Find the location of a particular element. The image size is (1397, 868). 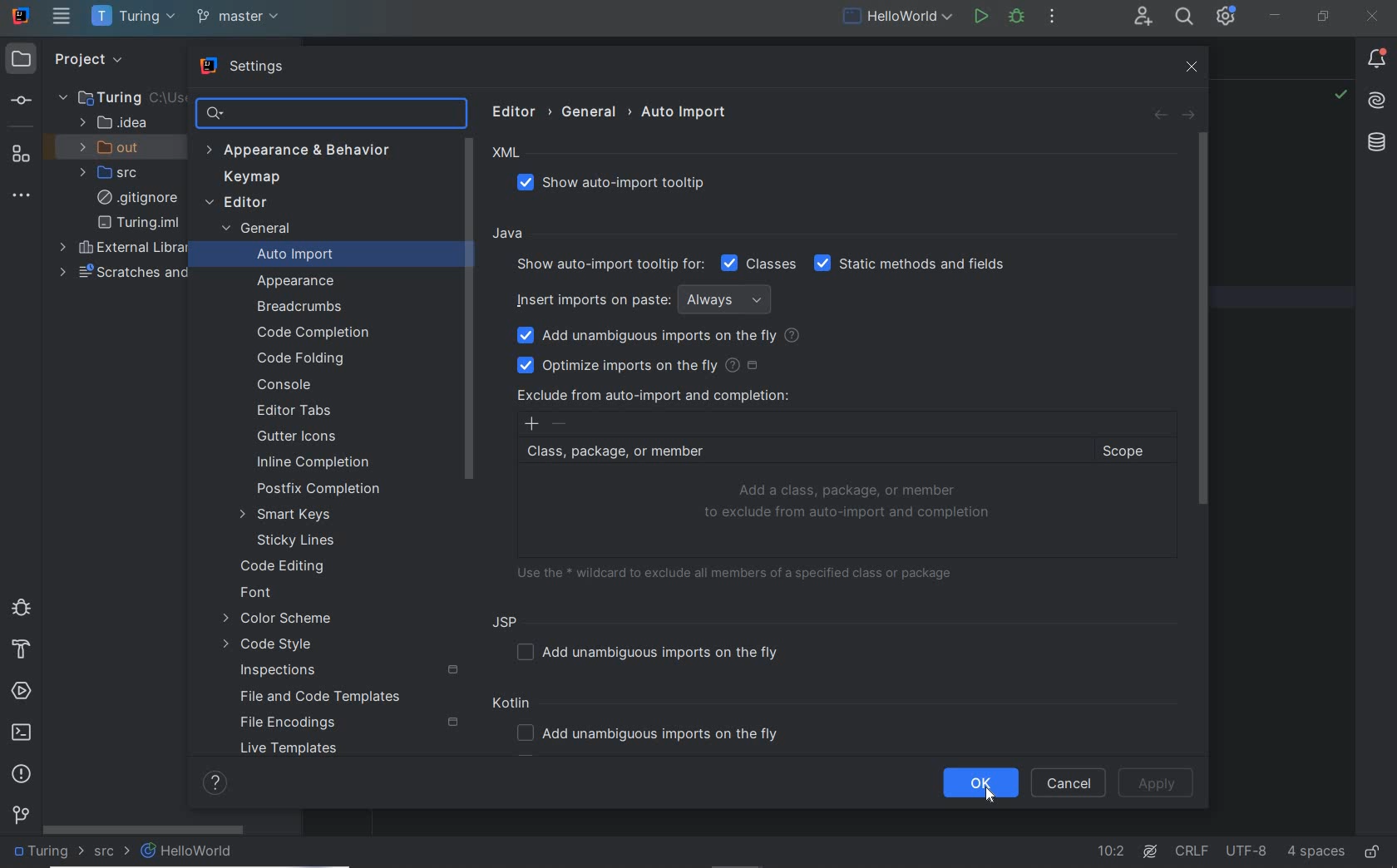

AUTO IMPORT is located at coordinates (284, 257).